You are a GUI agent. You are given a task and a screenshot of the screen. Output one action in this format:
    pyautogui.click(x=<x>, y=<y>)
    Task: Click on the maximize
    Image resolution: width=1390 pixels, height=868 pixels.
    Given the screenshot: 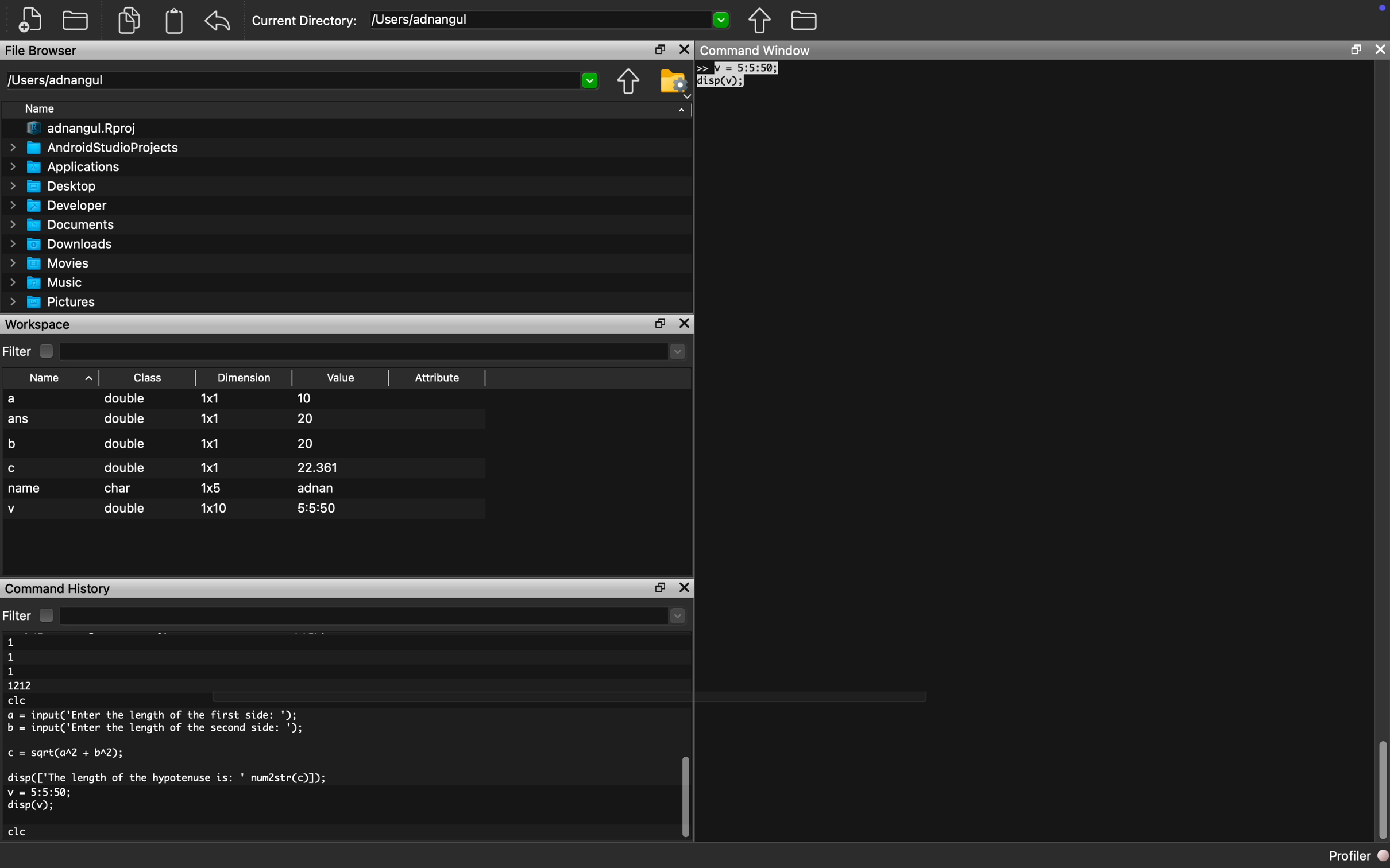 What is the action you would take?
    pyautogui.click(x=660, y=322)
    